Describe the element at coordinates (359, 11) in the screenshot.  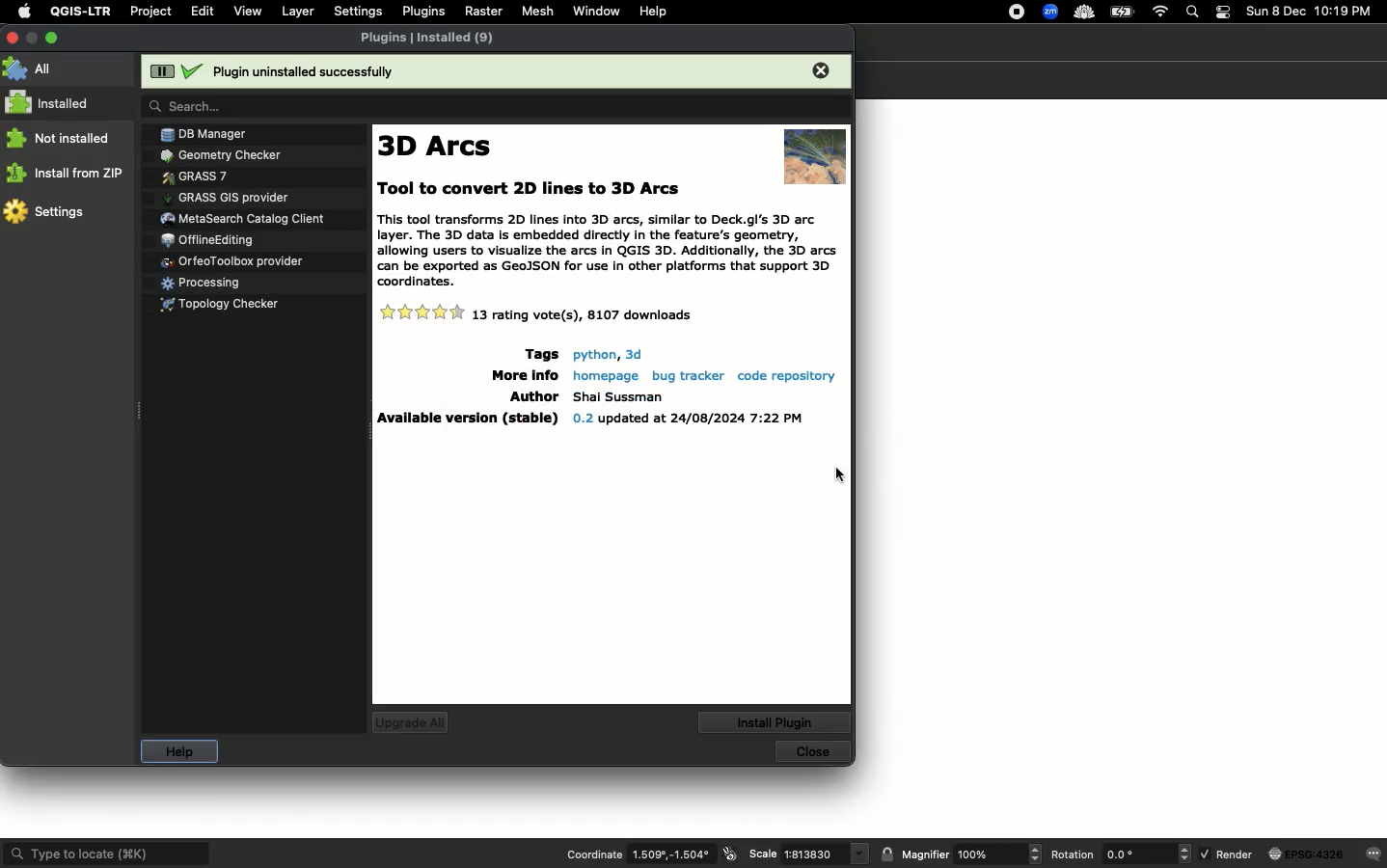
I see `Settings` at that location.